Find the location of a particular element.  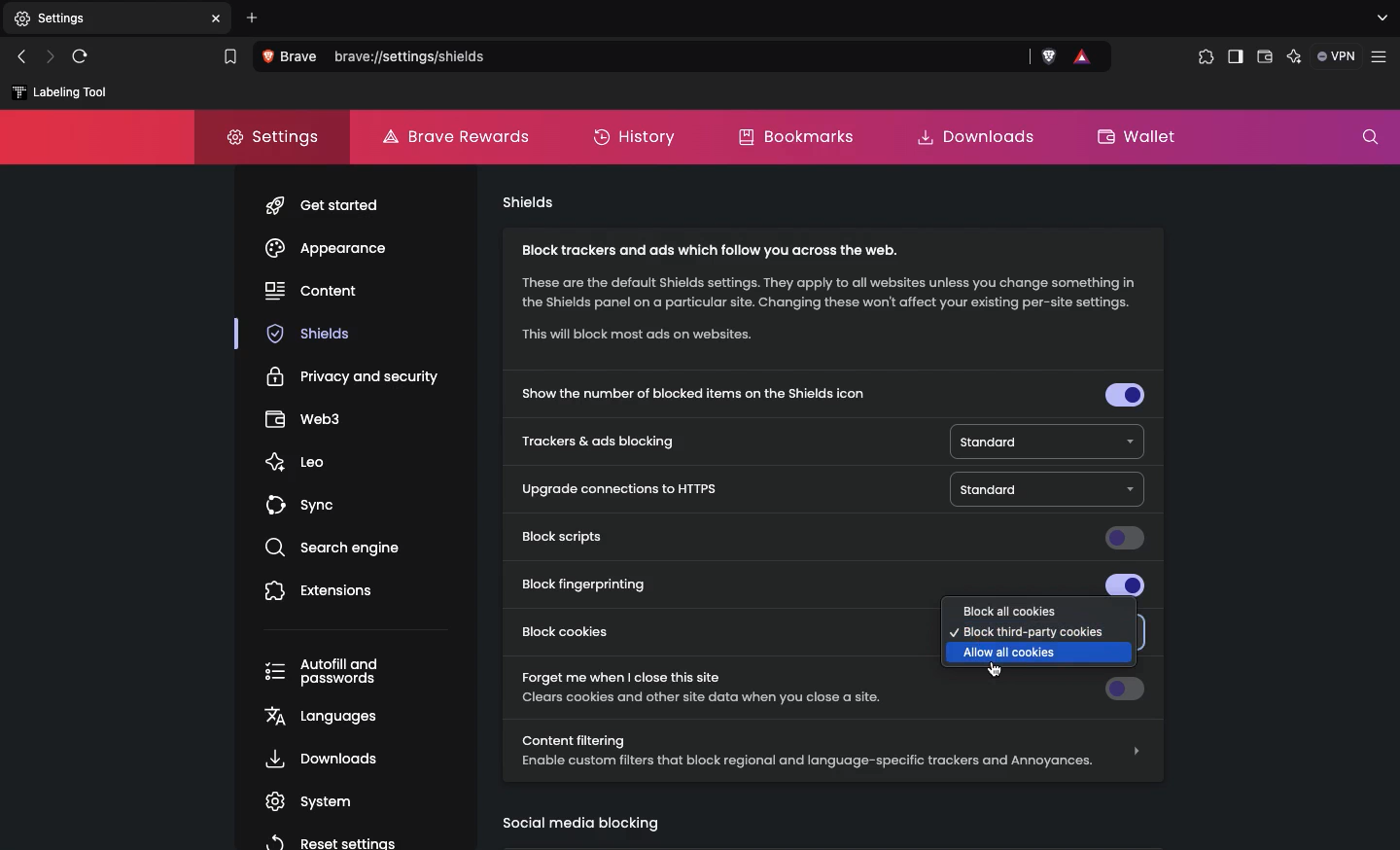

labelling tool is located at coordinates (57, 91).